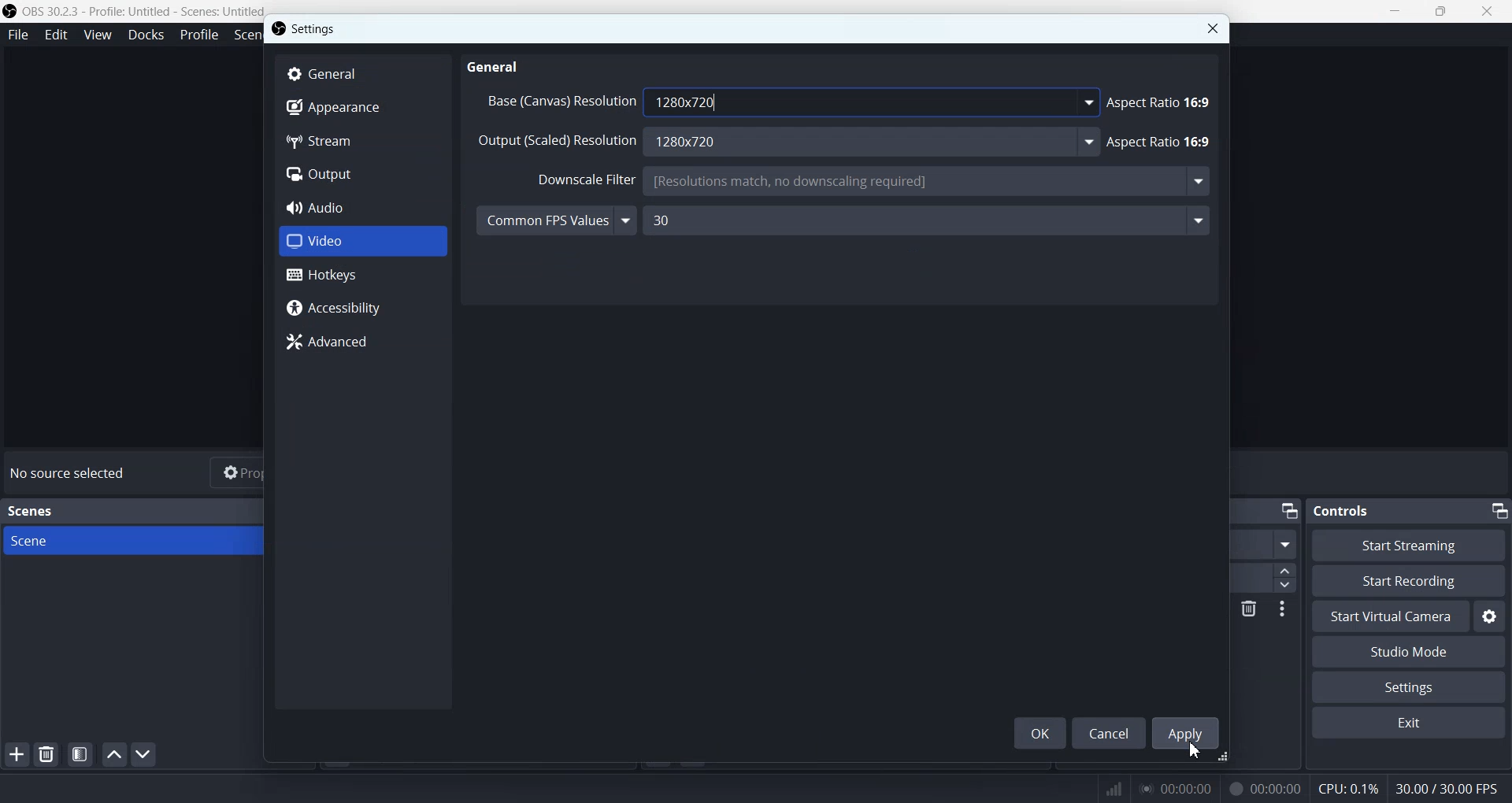  Describe the element at coordinates (145, 35) in the screenshot. I see `Docks` at that location.